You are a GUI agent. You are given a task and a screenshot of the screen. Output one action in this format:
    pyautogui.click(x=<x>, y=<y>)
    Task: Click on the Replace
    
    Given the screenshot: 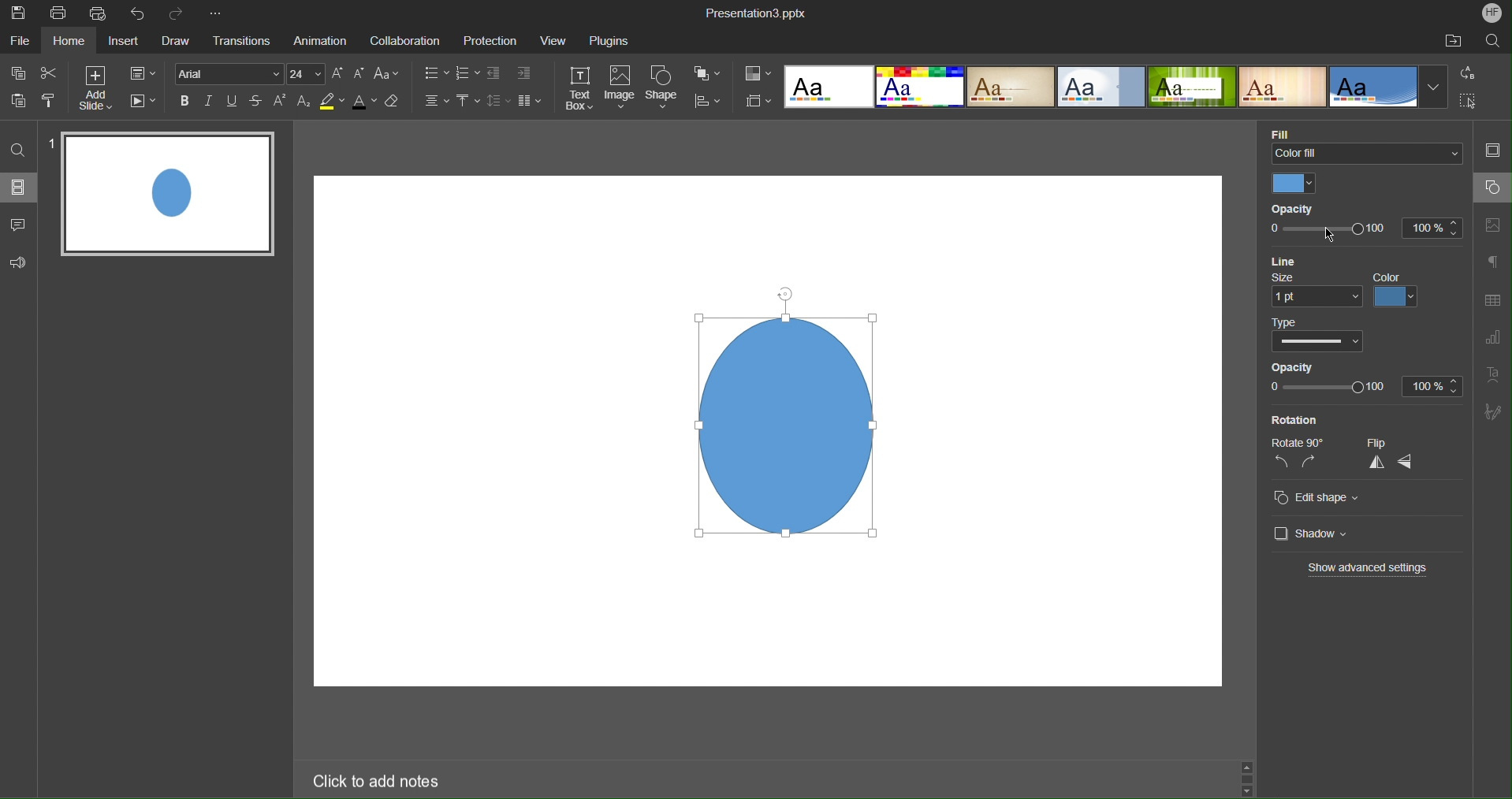 What is the action you would take?
    pyautogui.click(x=1465, y=72)
    